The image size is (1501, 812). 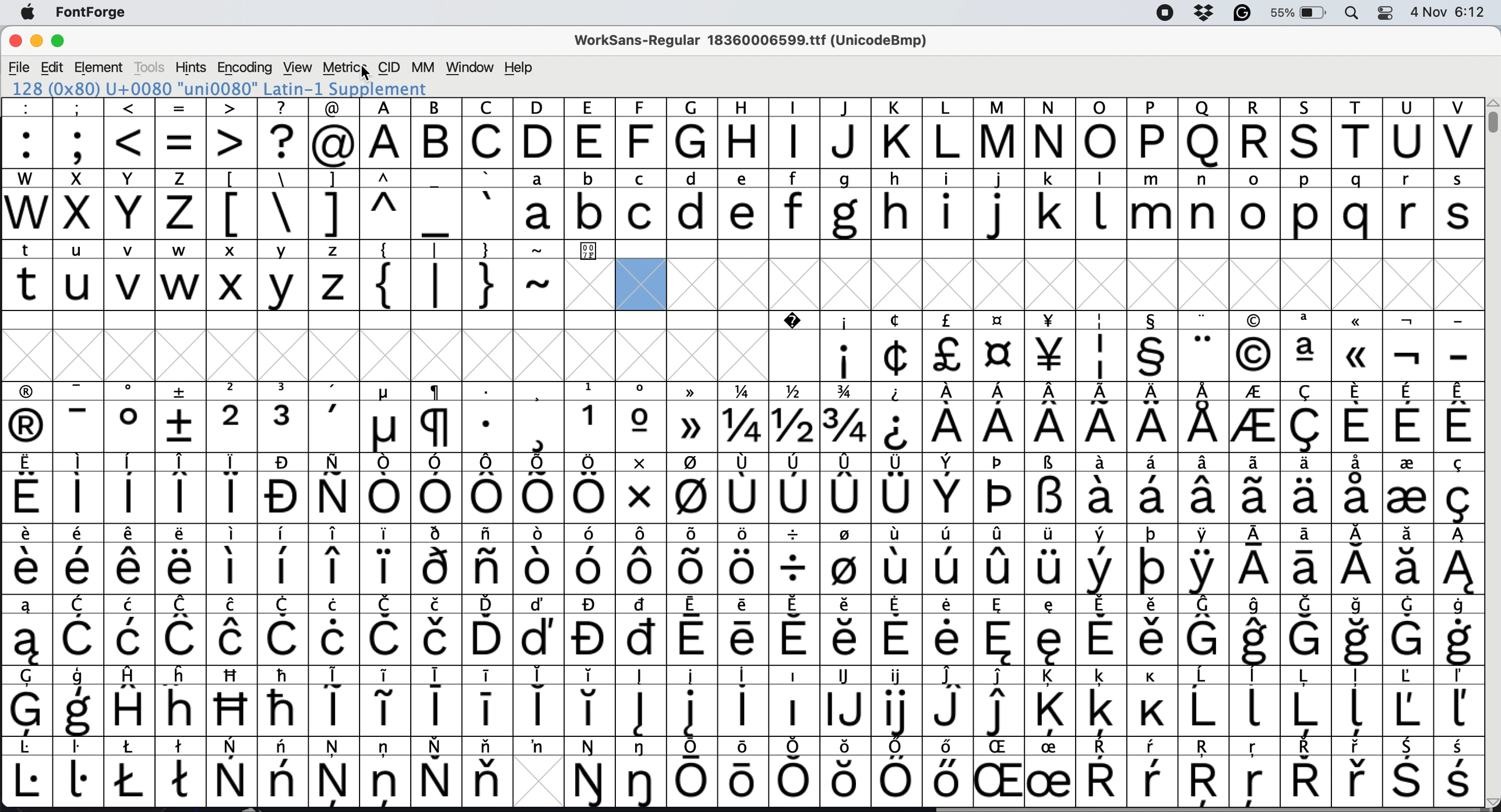 What do you see at coordinates (1353, 14) in the screenshot?
I see `spotlight search` at bounding box center [1353, 14].